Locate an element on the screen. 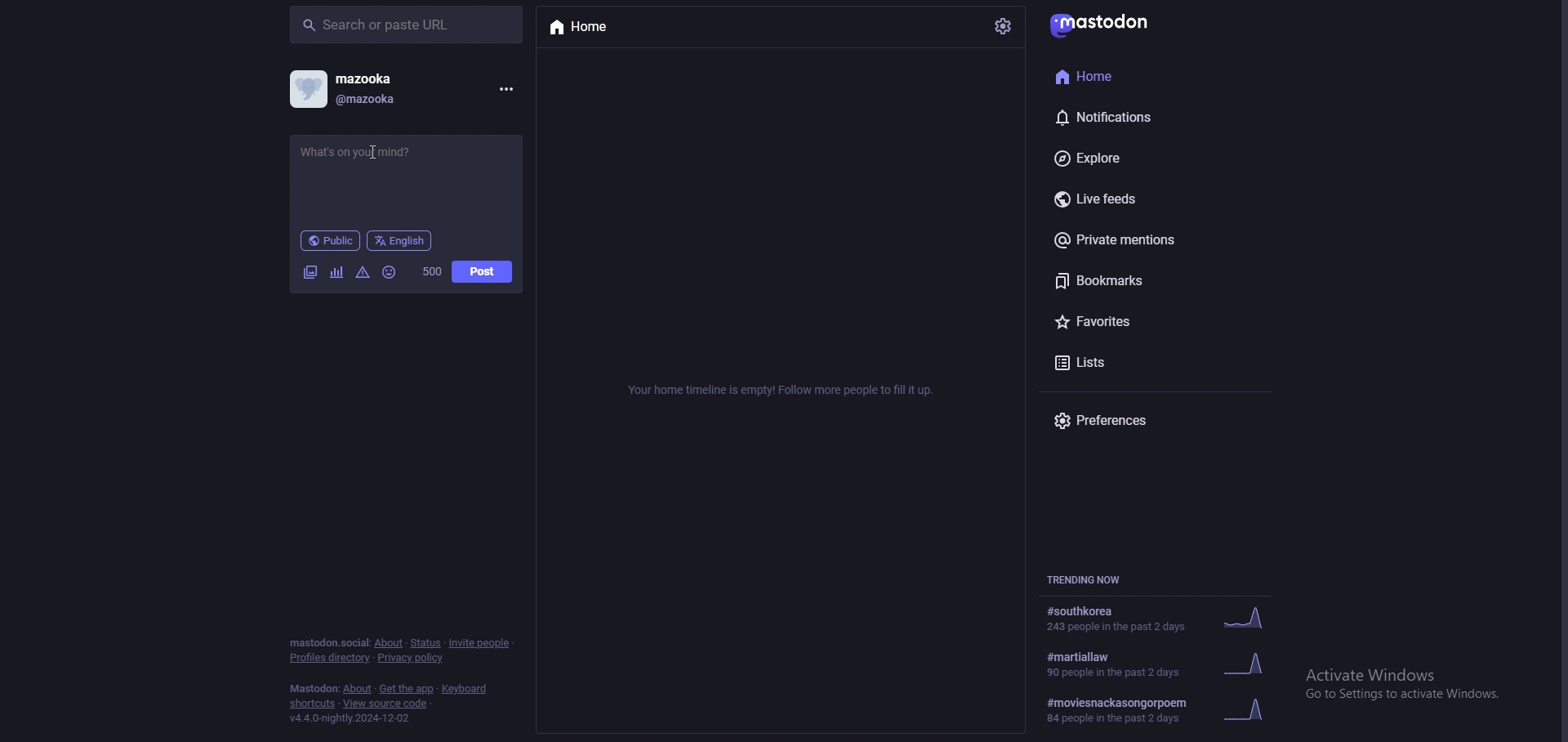 This screenshot has width=1568, height=742. preferences is located at coordinates (1111, 419).